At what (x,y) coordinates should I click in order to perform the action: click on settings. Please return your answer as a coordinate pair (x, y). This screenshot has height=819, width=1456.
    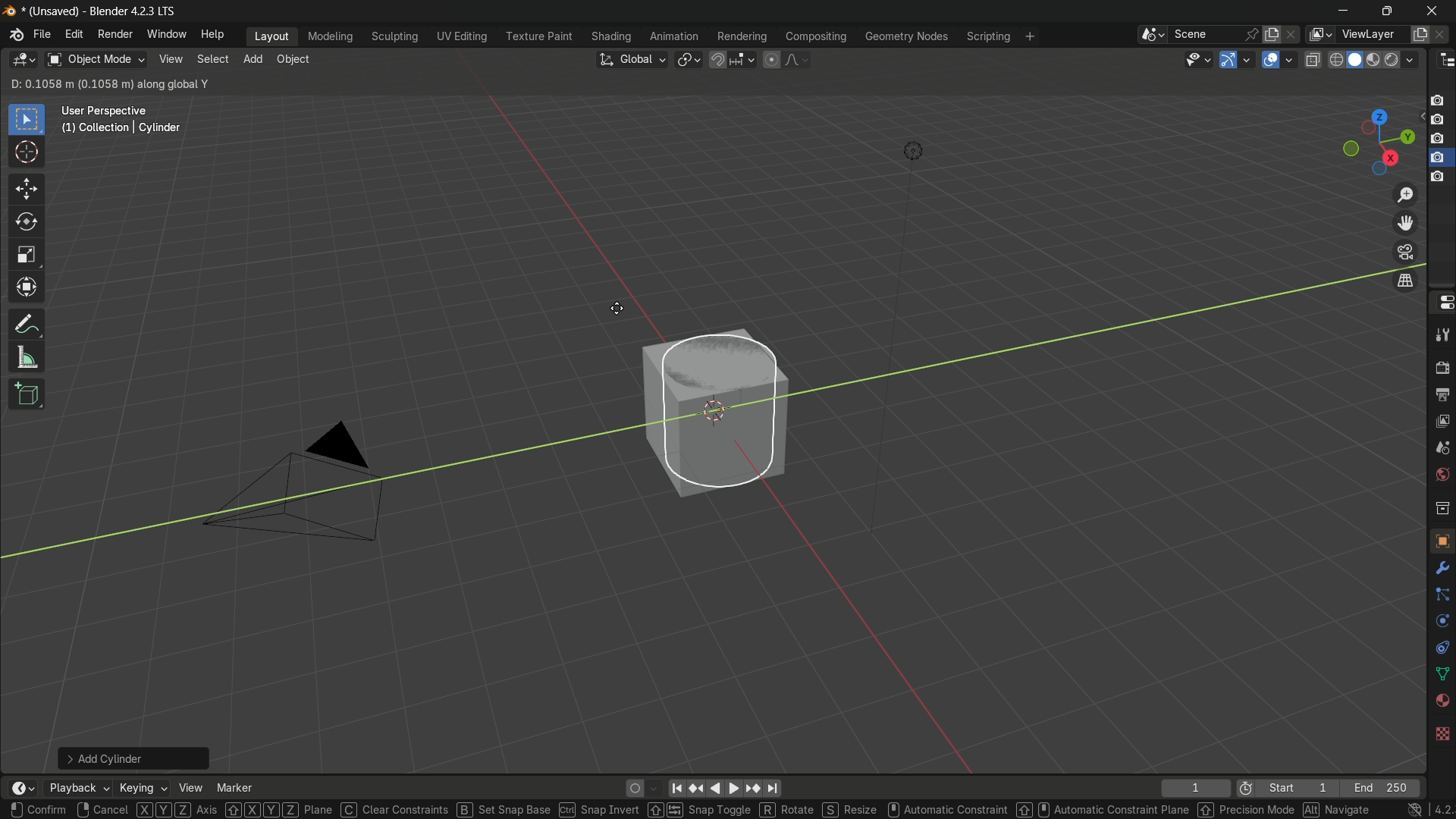
    Looking at the image, I should click on (1439, 569).